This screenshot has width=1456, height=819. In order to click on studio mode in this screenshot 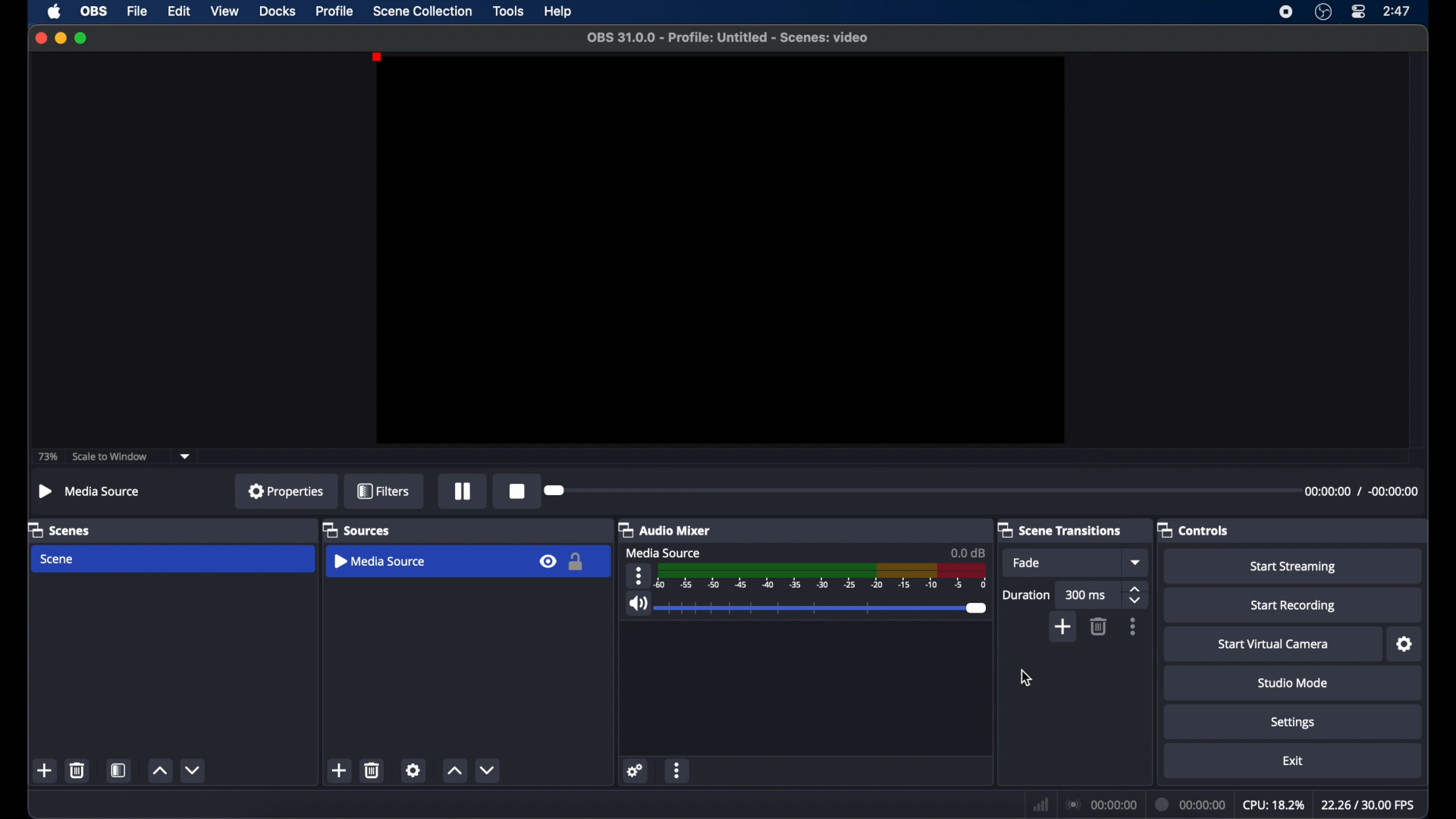, I will do `click(1293, 684)`.